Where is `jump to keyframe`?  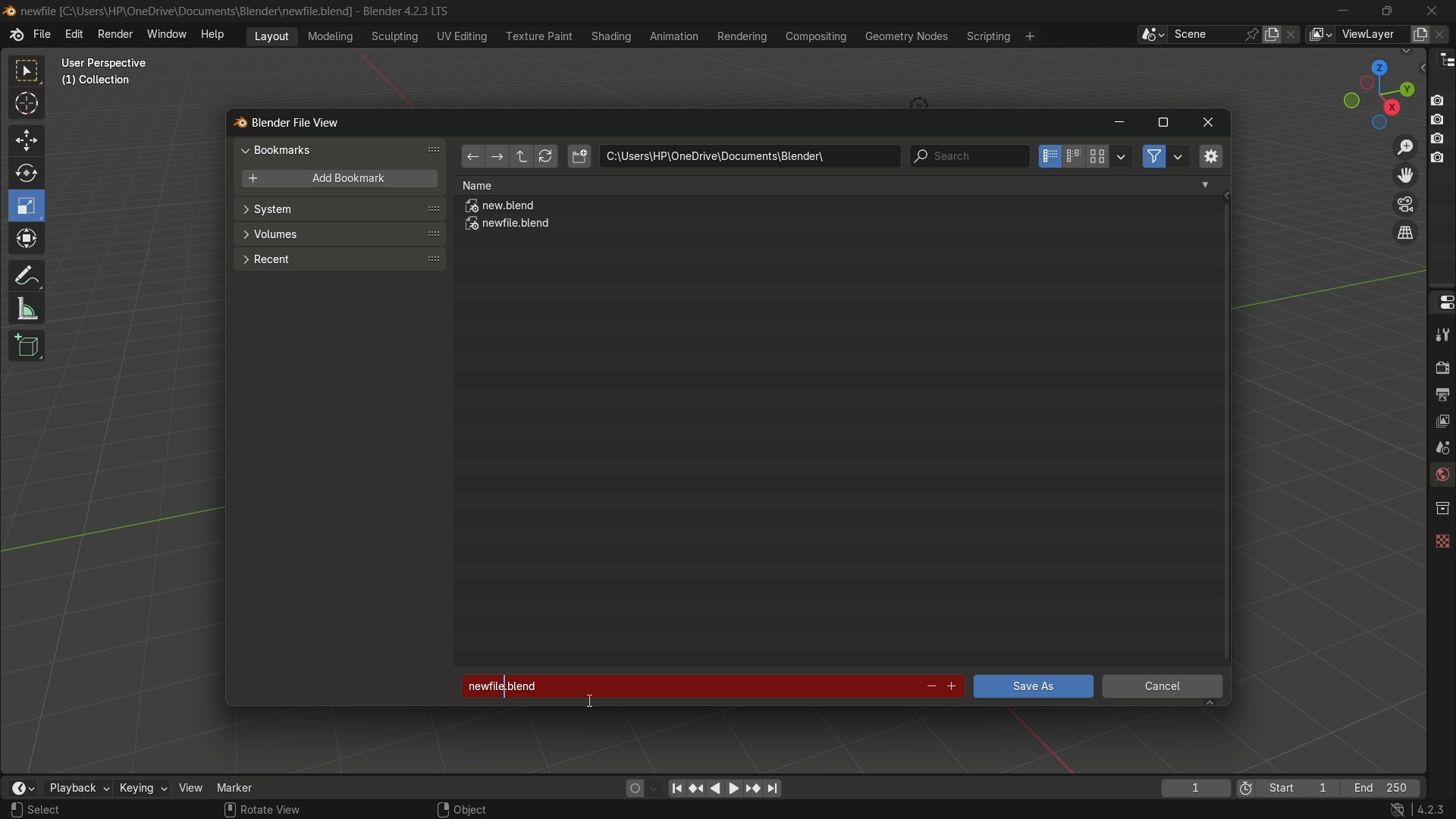 jump to keyframe is located at coordinates (753, 787).